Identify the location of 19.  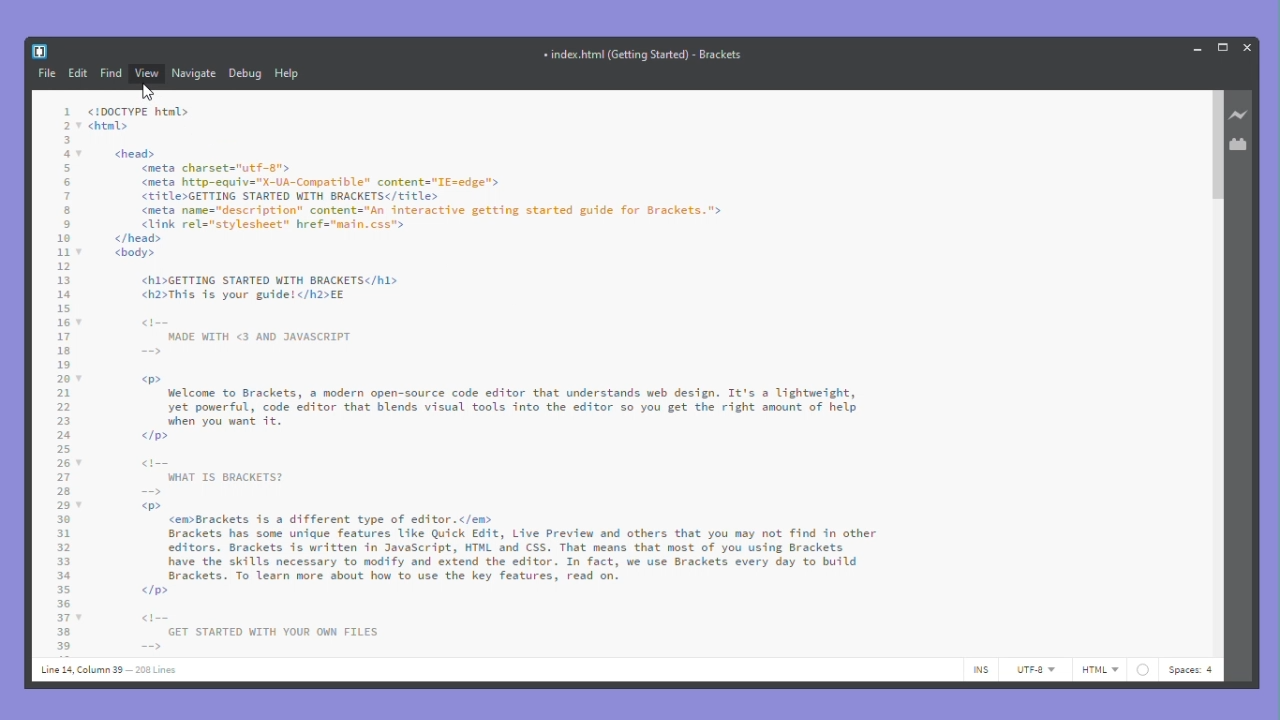
(64, 365).